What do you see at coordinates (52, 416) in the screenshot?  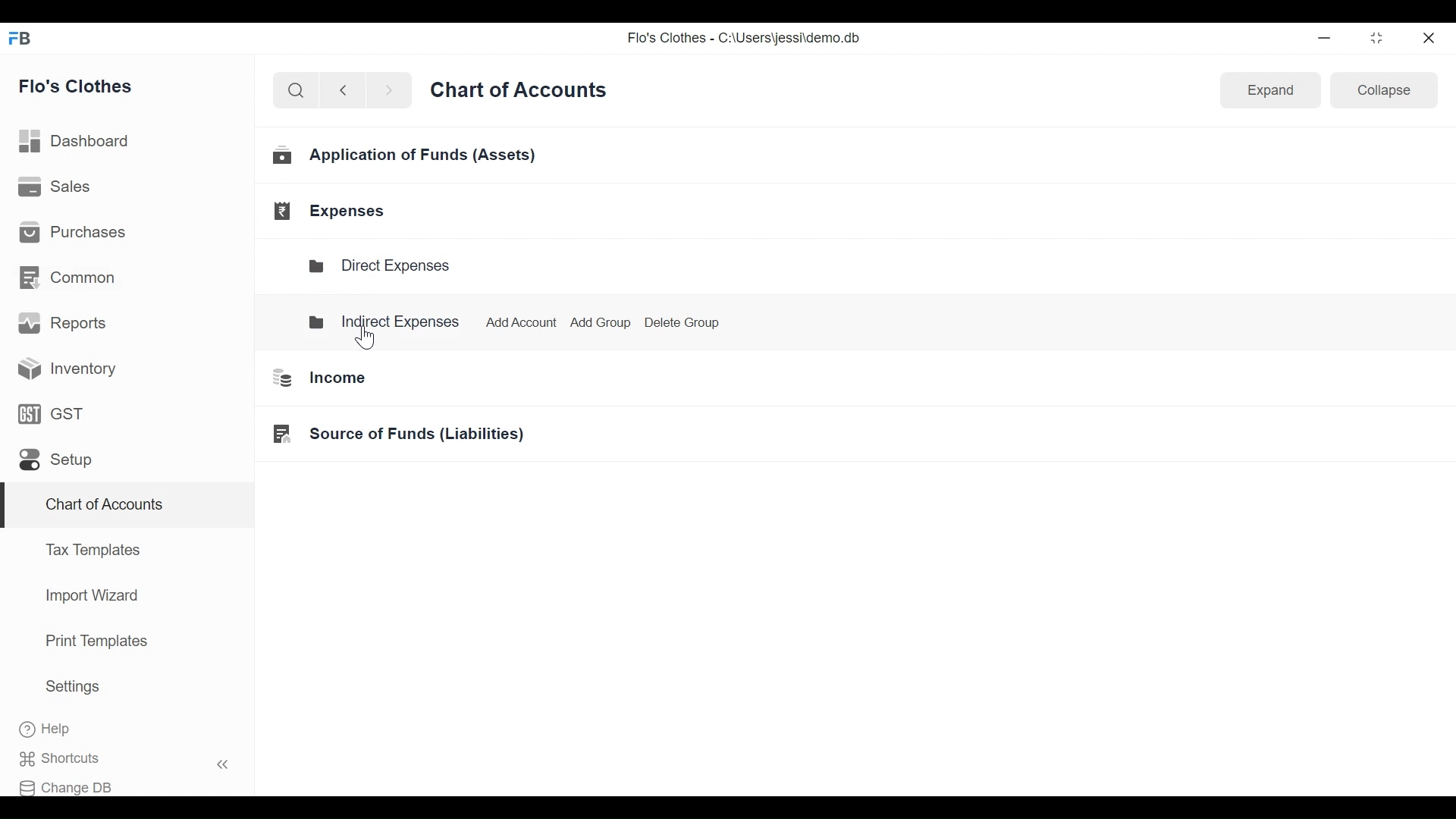 I see `GST` at bounding box center [52, 416].